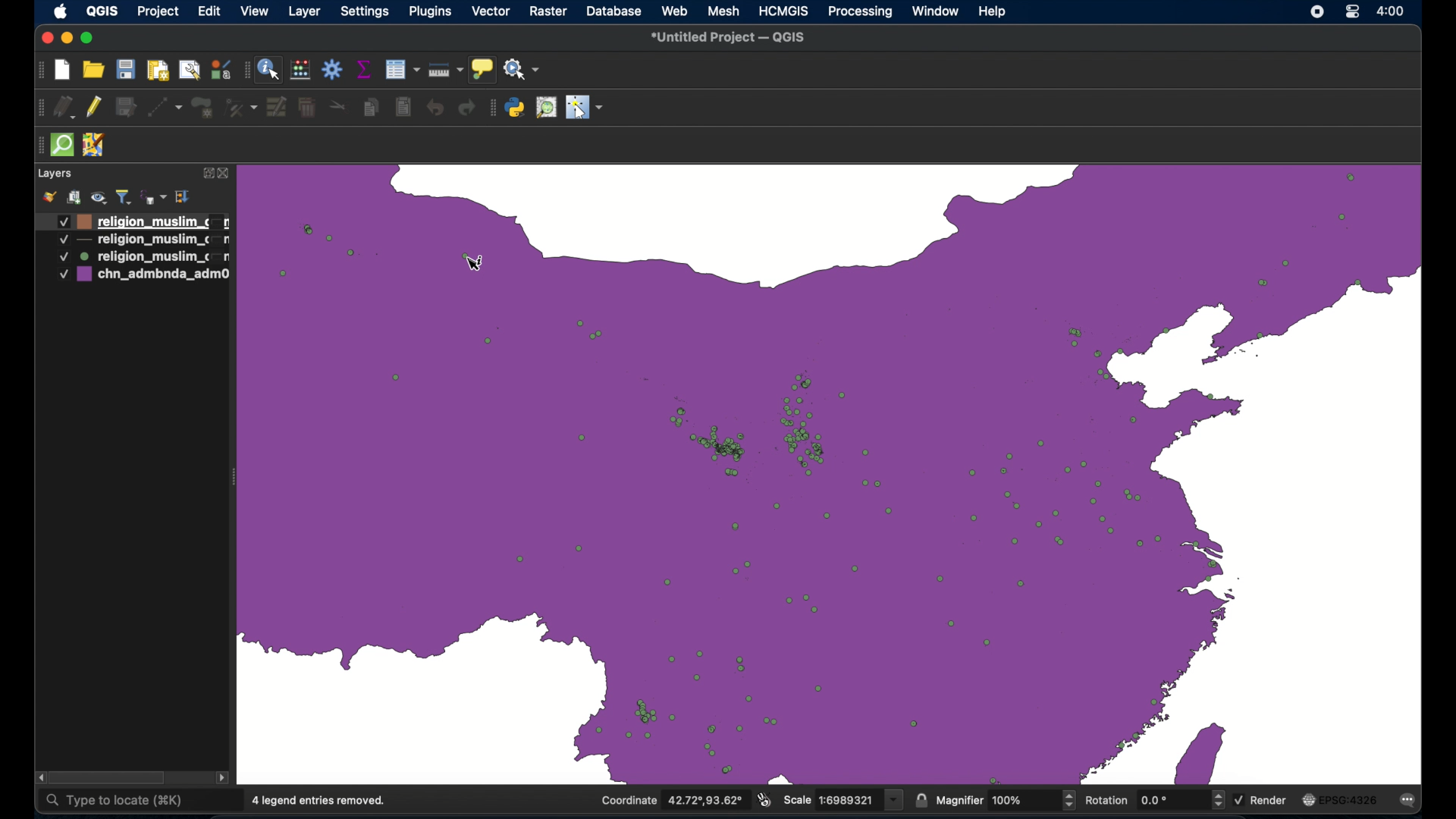 This screenshot has width=1456, height=819. Describe the element at coordinates (202, 108) in the screenshot. I see `addpolygonfeature` at that location.